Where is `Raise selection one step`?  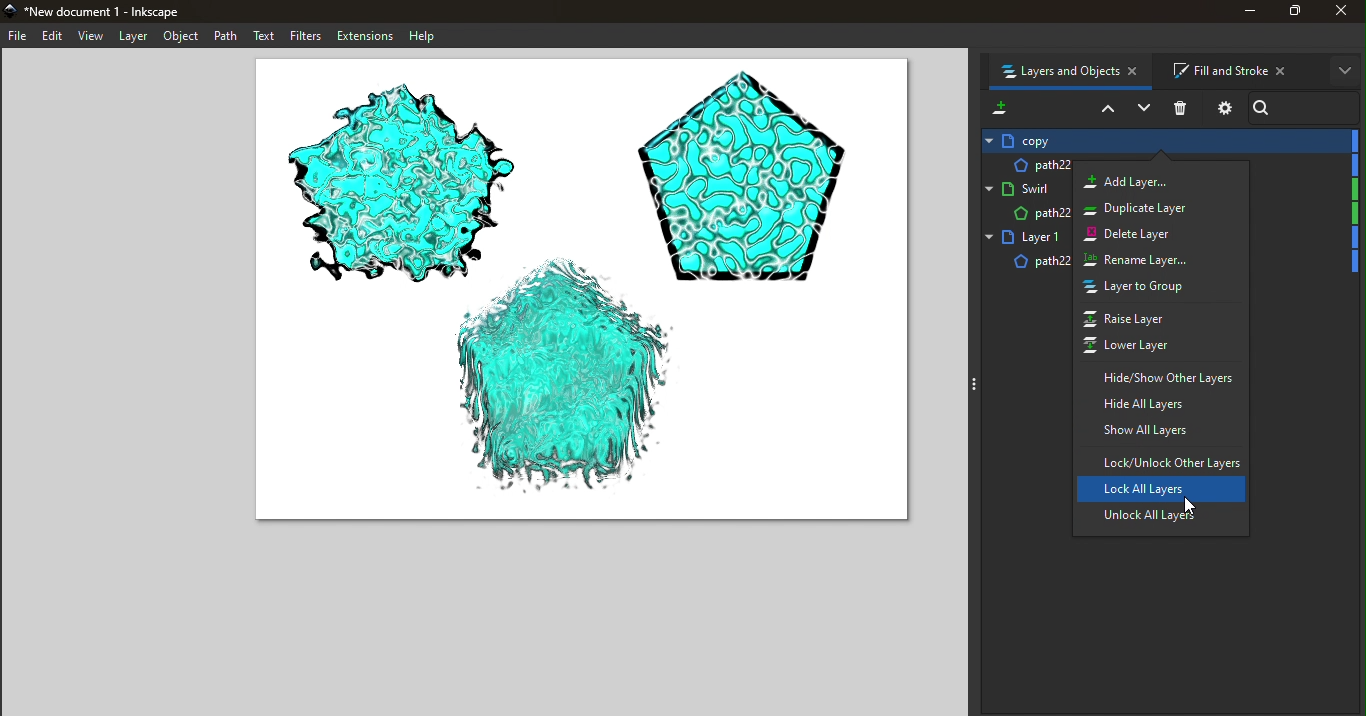 Raise selection one step is located at coordinates (1105, 110).